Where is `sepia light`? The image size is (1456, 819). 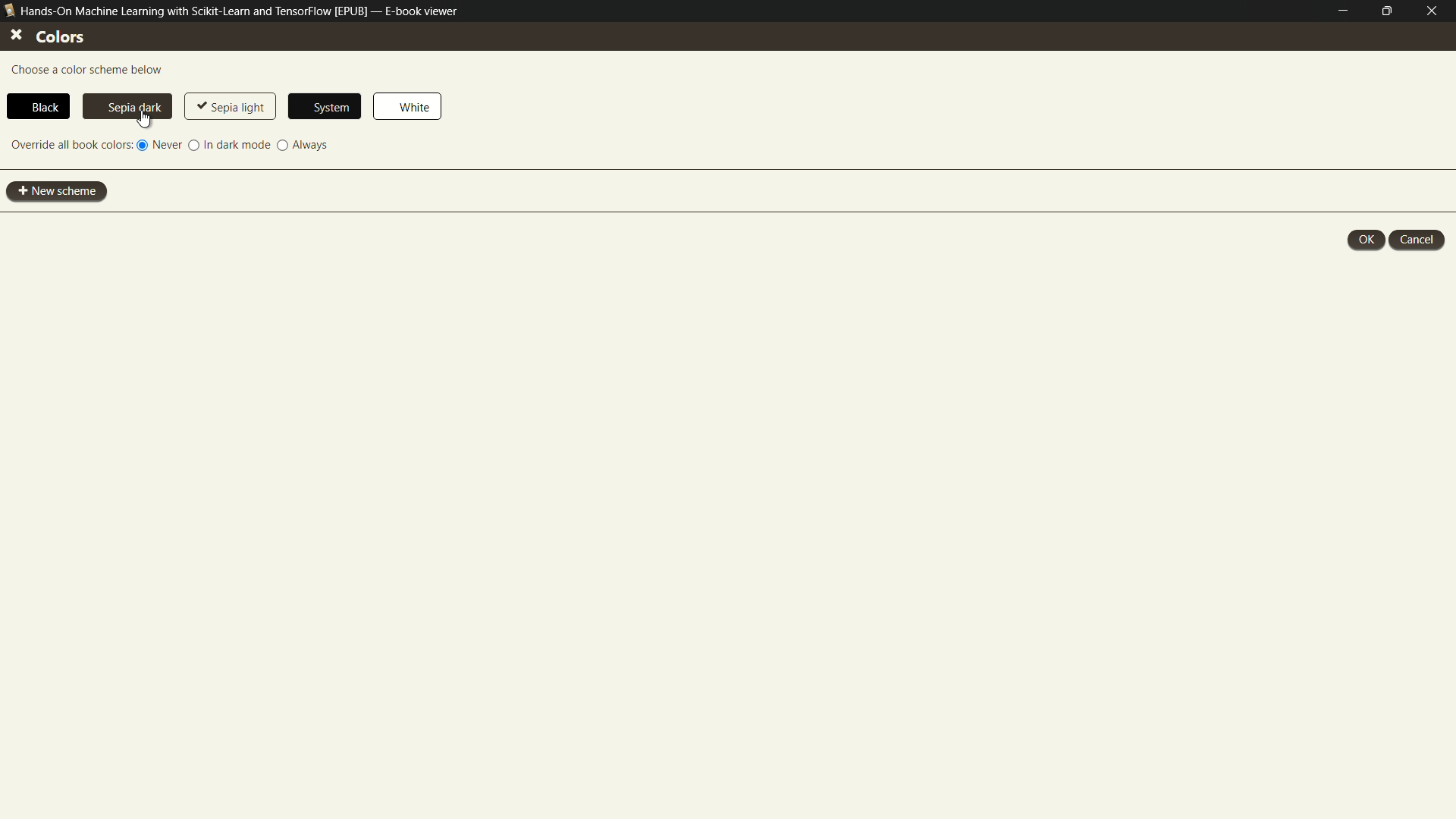
sepia light is located at coordinates (231, 106).